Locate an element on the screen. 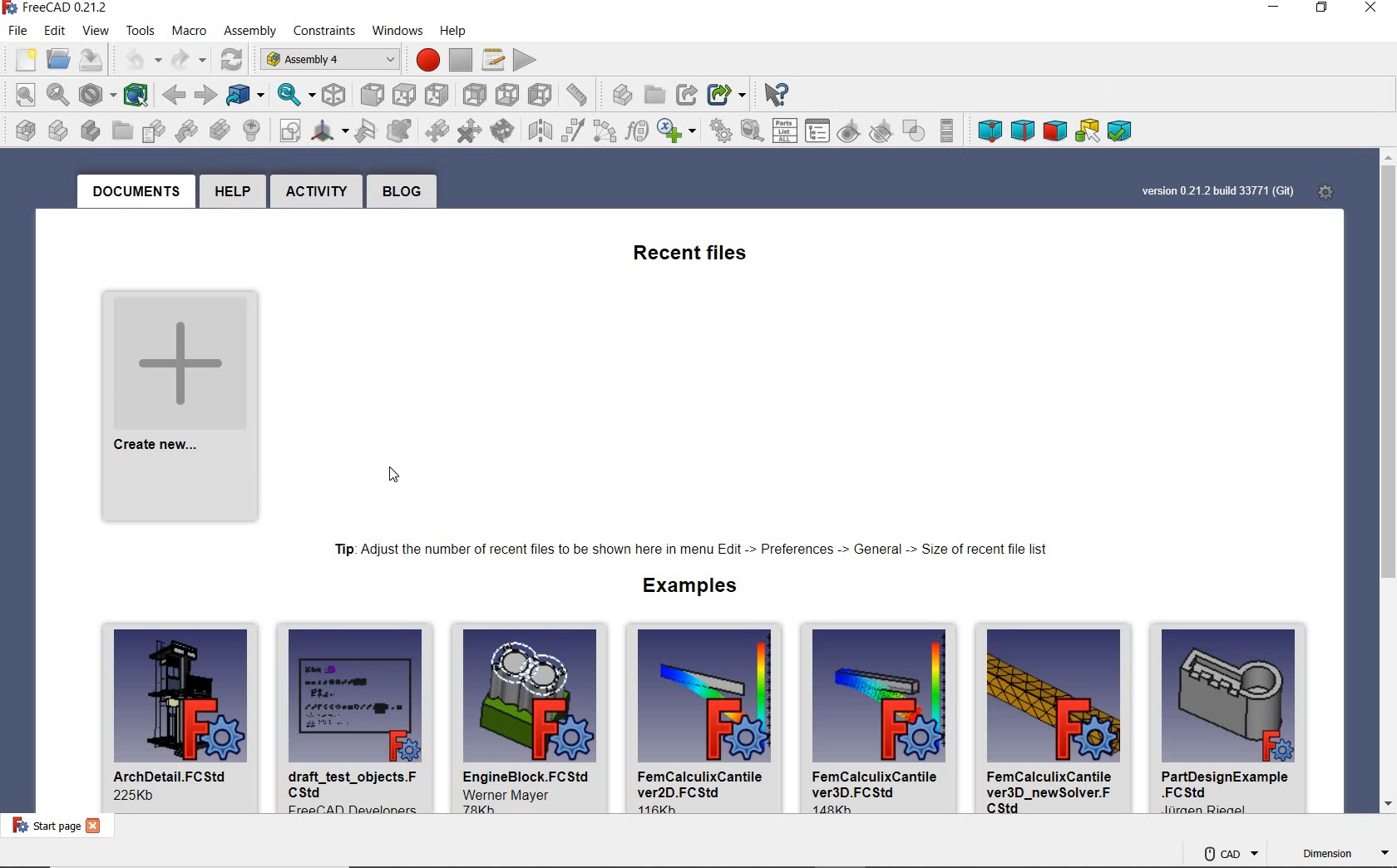 The height and width of the screenshot is (868, 1397). help is located at coordinates (455, 32).